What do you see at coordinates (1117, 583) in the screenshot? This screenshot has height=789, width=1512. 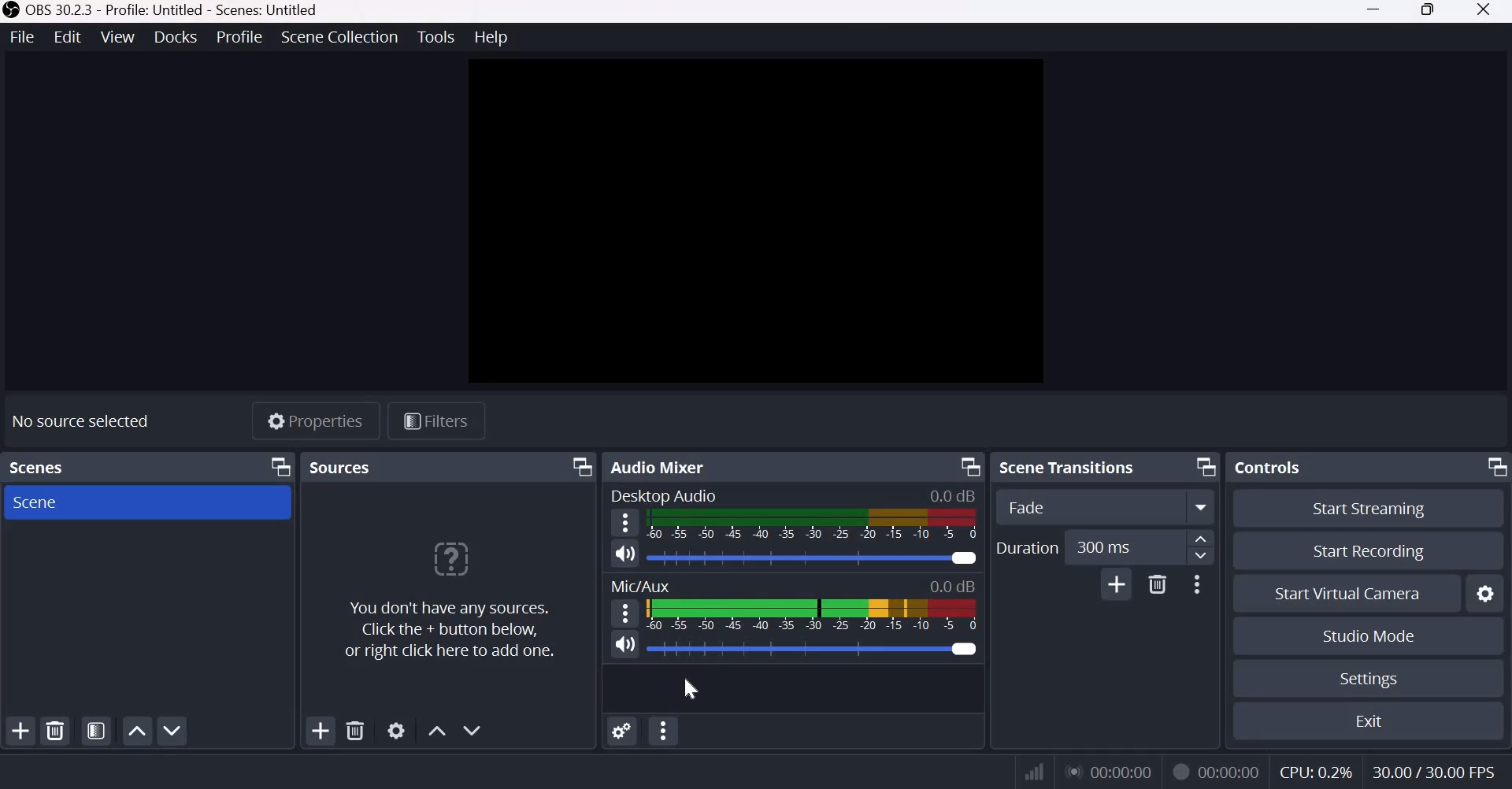 I see `Add Transition` at bounding box center [1117, 583].